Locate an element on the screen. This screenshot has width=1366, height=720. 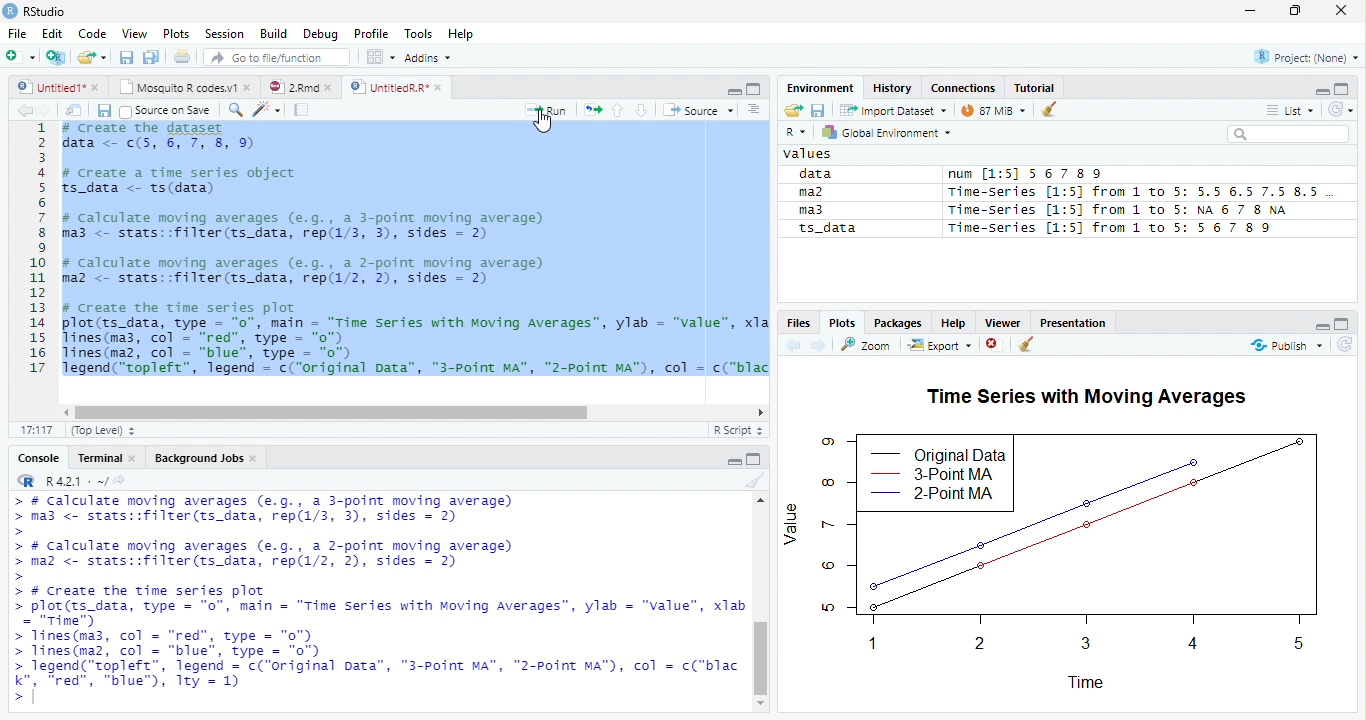
open an existing file is located at coordinates (92, 58).